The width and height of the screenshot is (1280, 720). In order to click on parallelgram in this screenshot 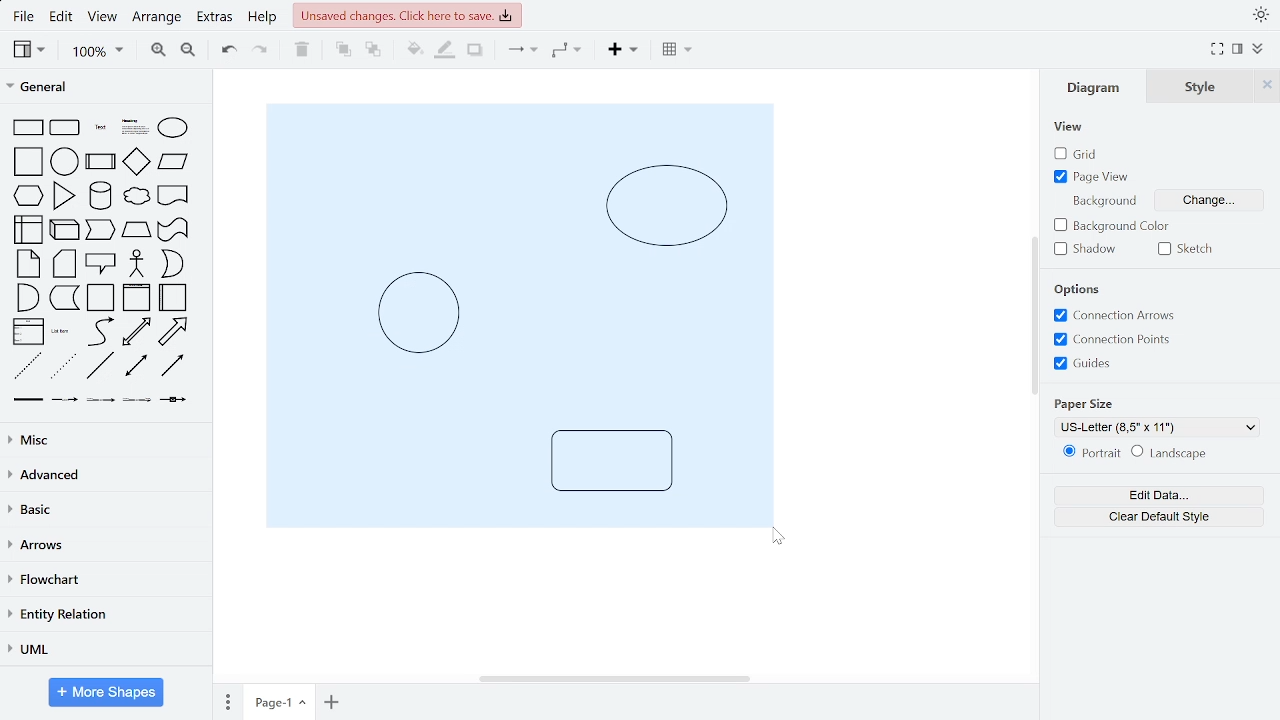, I will do `click(174, 162)`.